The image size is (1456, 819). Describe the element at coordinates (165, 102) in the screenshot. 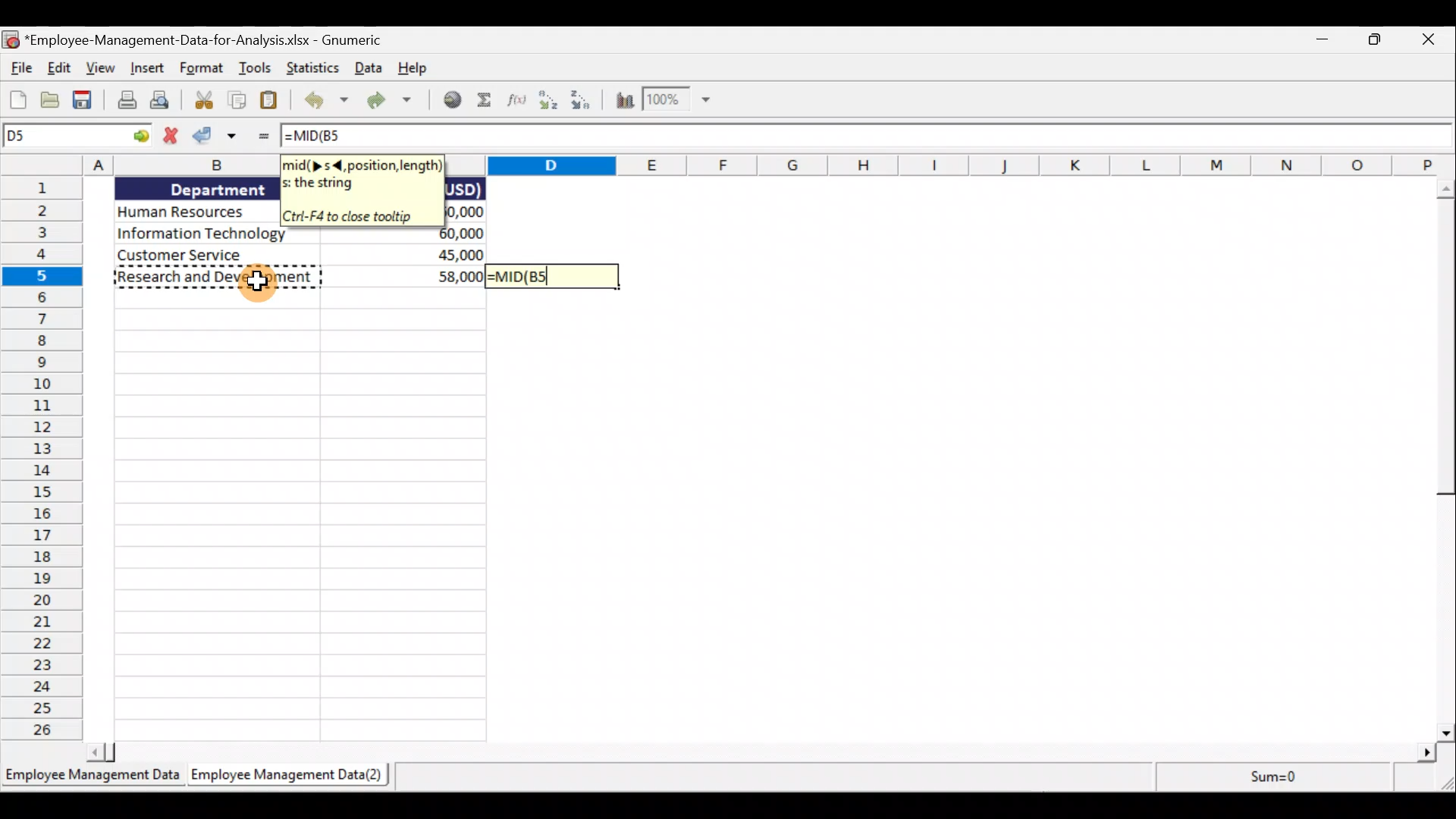

I see `Print preview` at that location.